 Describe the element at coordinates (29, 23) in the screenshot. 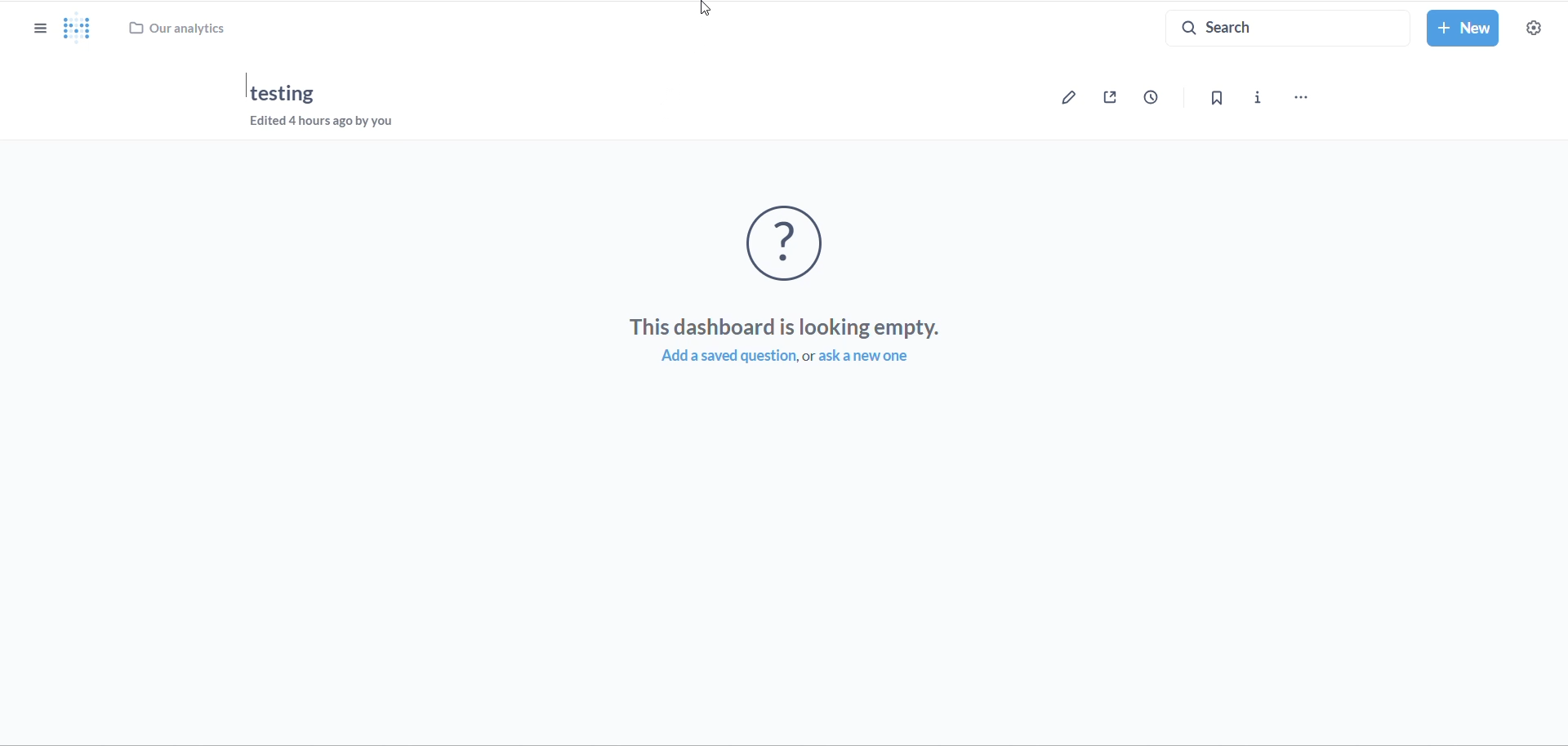

I see `show/hide sidebar` at that location.